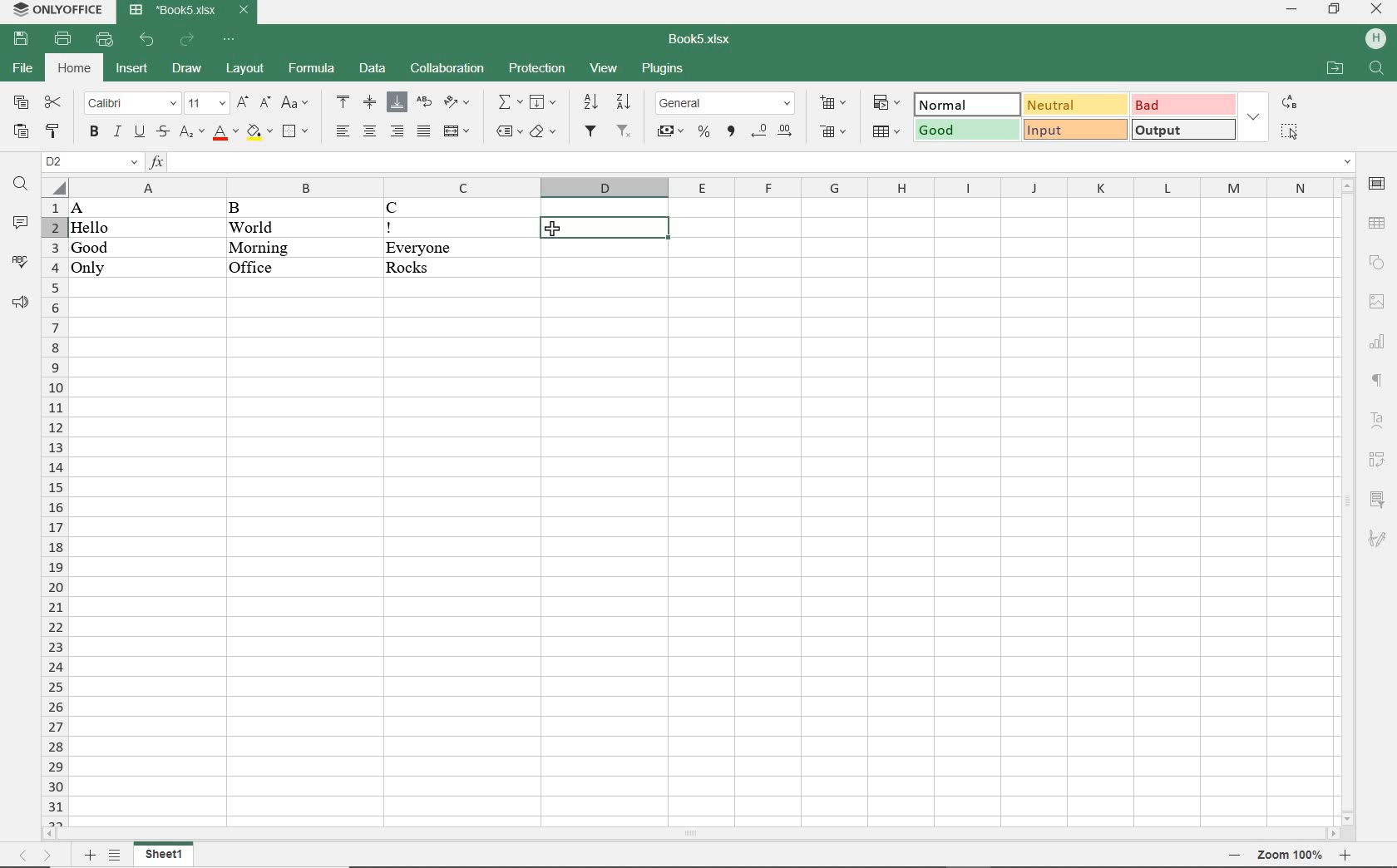 The height and width of the screenshot is (868, 1397). Describe the element at coordinates (552, 230) in the screenshot. I see `cursor` at that location.